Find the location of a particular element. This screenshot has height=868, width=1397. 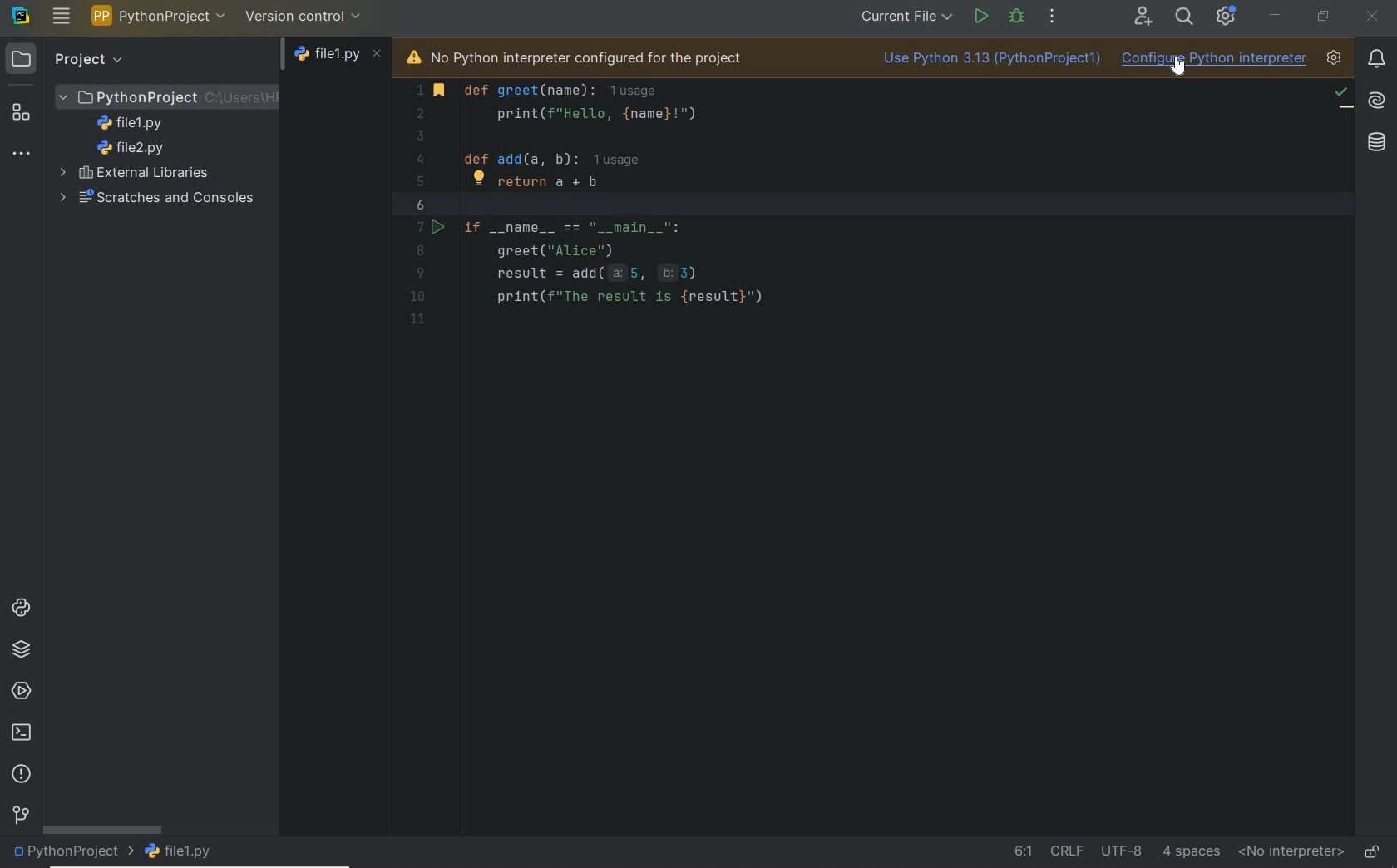

cursor is located at coordinates (1182, 69).